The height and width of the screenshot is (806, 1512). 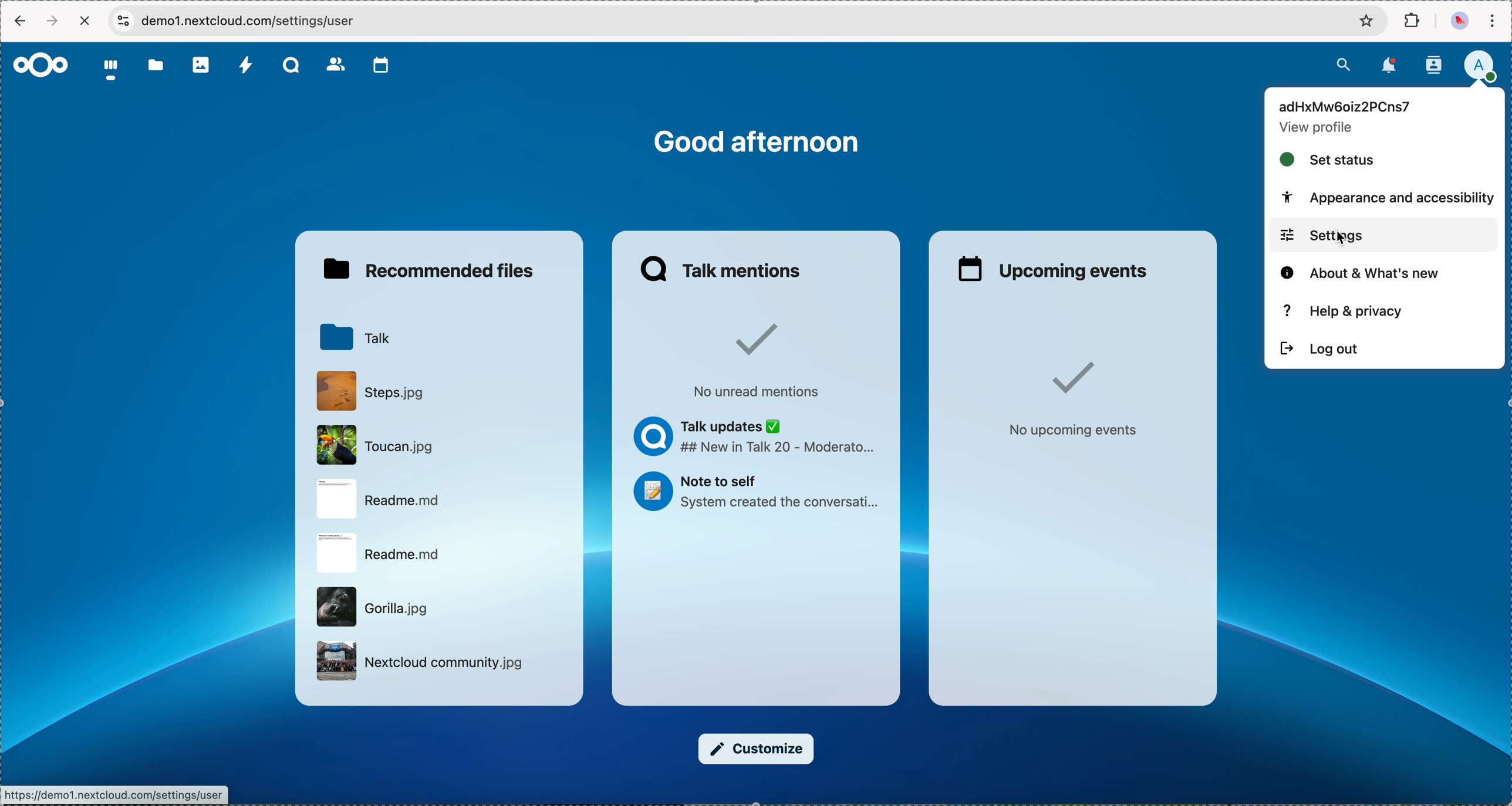 I want to click on notifications, so click(x=1391, y=65).